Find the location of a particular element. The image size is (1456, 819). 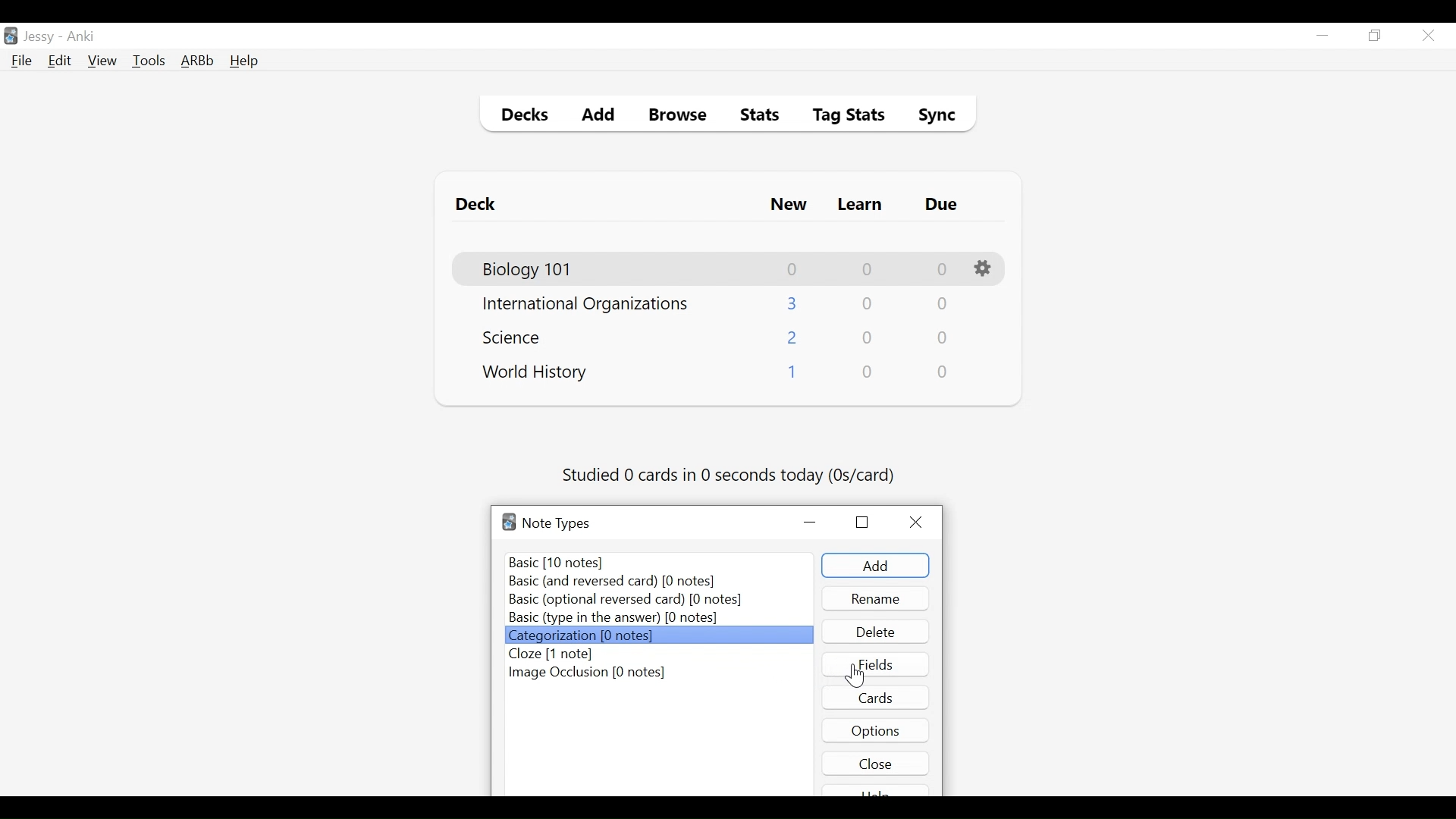

Decks is located at coordinates (521, 117).